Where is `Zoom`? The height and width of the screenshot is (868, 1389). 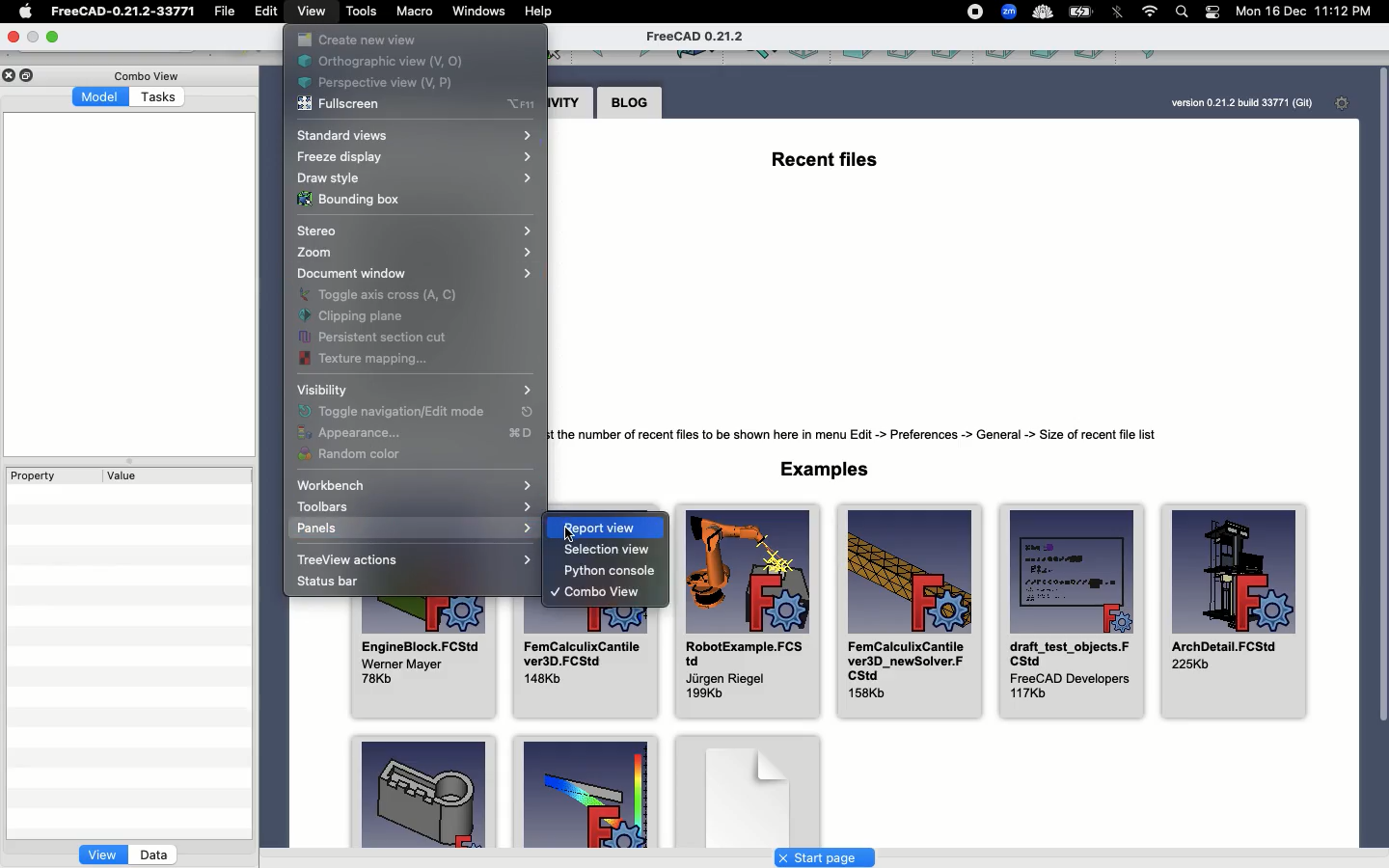
Zoom is located at coordinates (412, 253).